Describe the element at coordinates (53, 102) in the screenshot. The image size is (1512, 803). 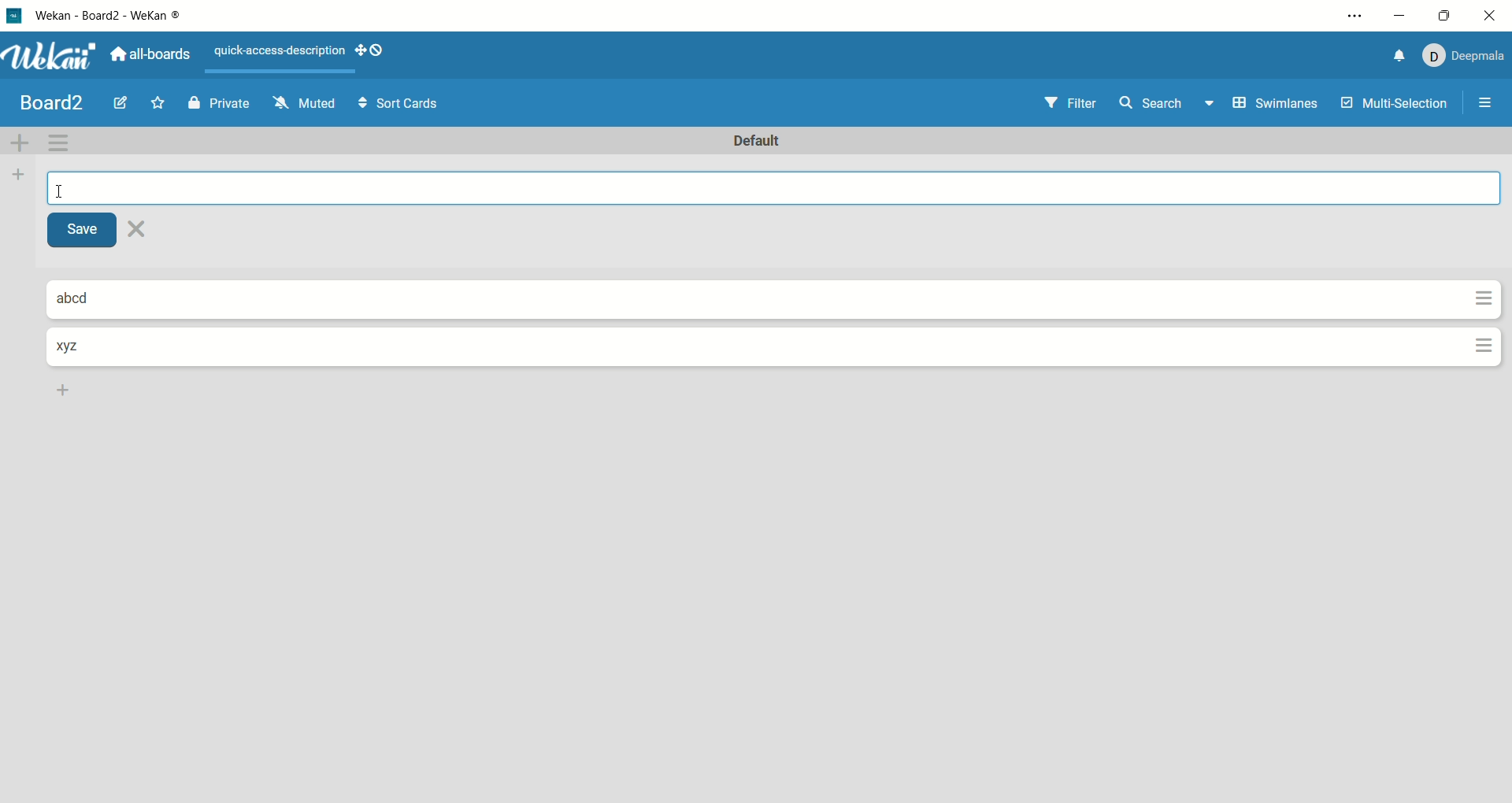
I see `title` at that location.